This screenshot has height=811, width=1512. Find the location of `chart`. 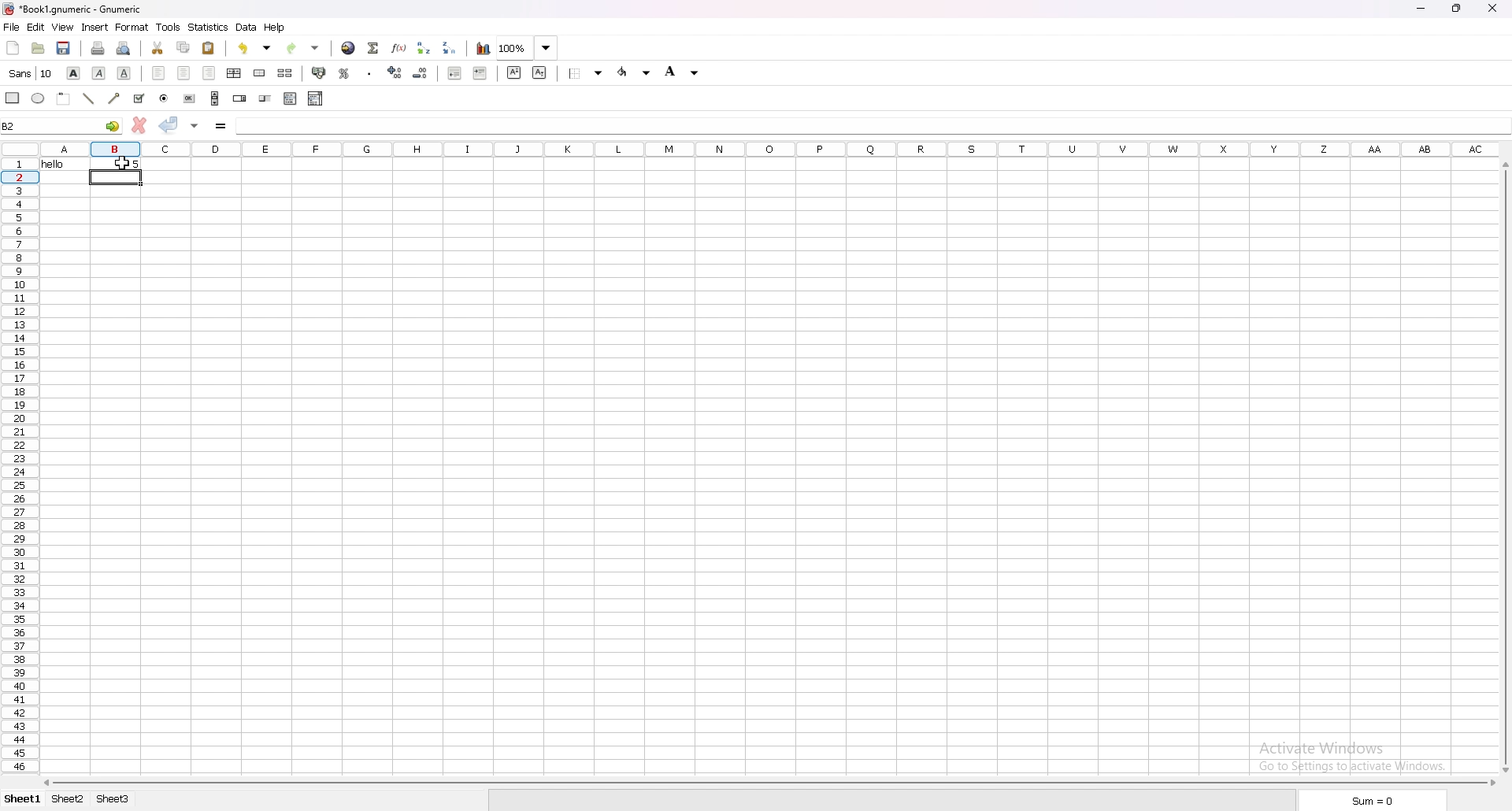

chart is located at coordinates (482, 49).